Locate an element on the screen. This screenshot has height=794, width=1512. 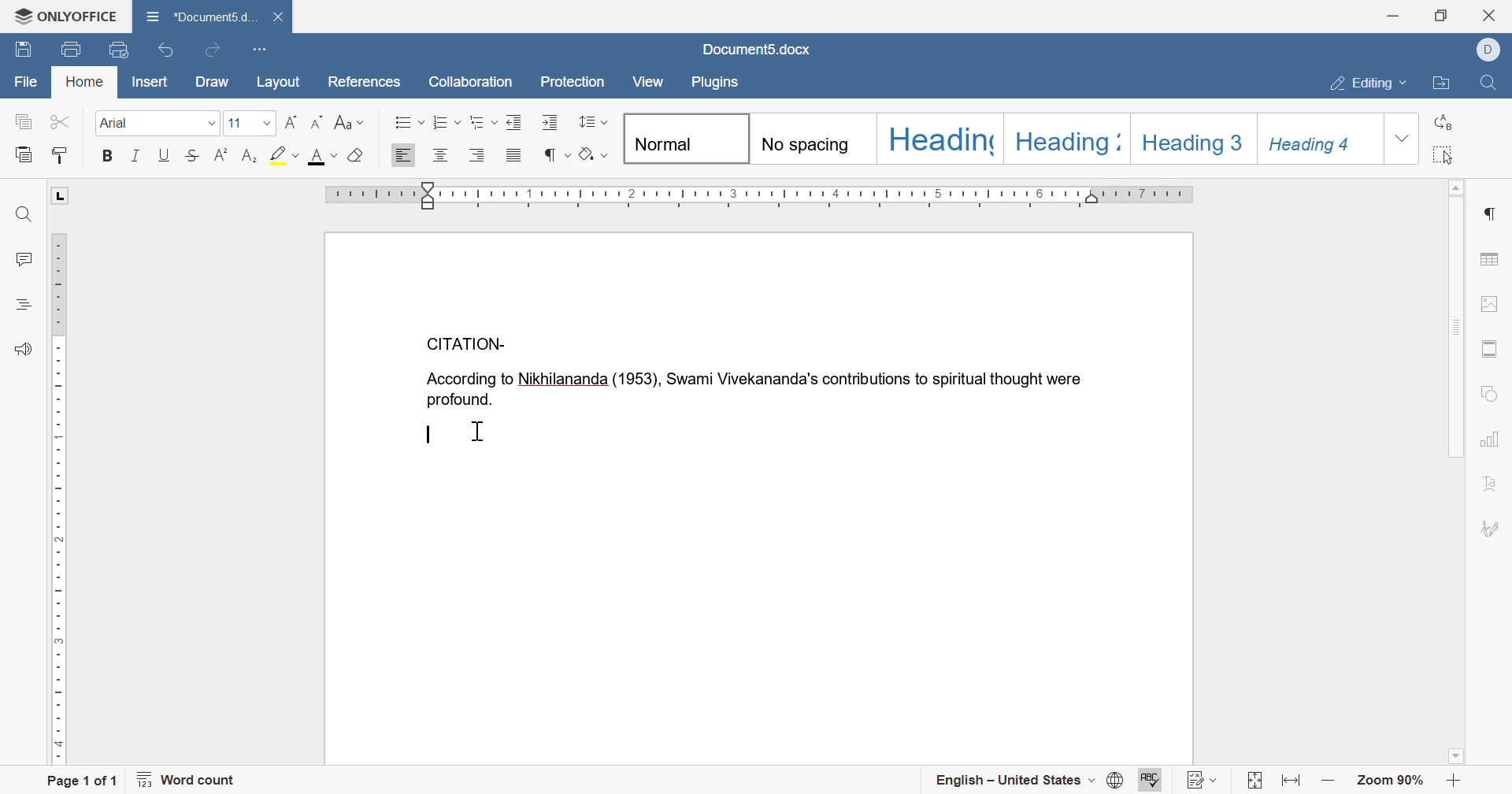
track changes is located at coordinates (1203, 777).